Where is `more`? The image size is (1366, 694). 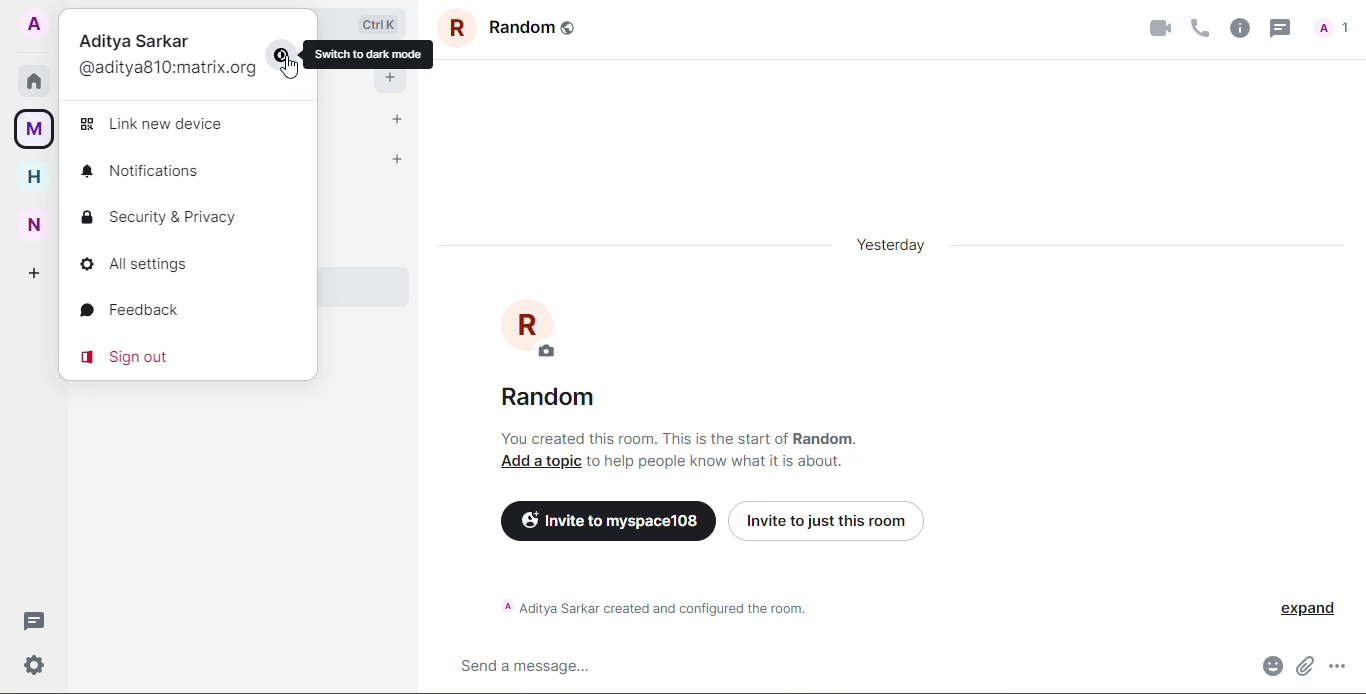
more is located at coordinates (1337, 666).